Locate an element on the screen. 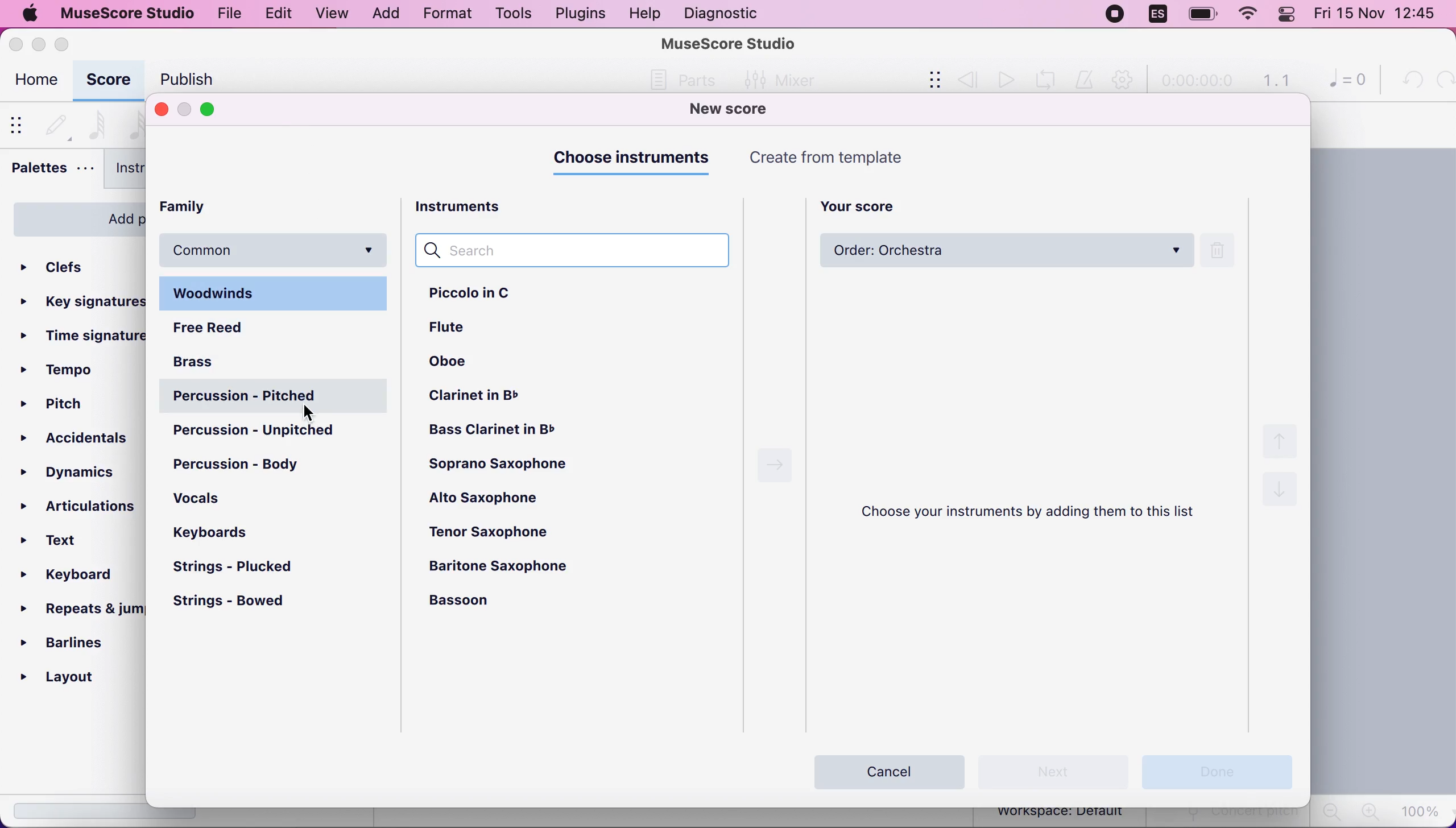 The width and height of the screenshot is (1456, 828). view is located at coordinates (331, 14).